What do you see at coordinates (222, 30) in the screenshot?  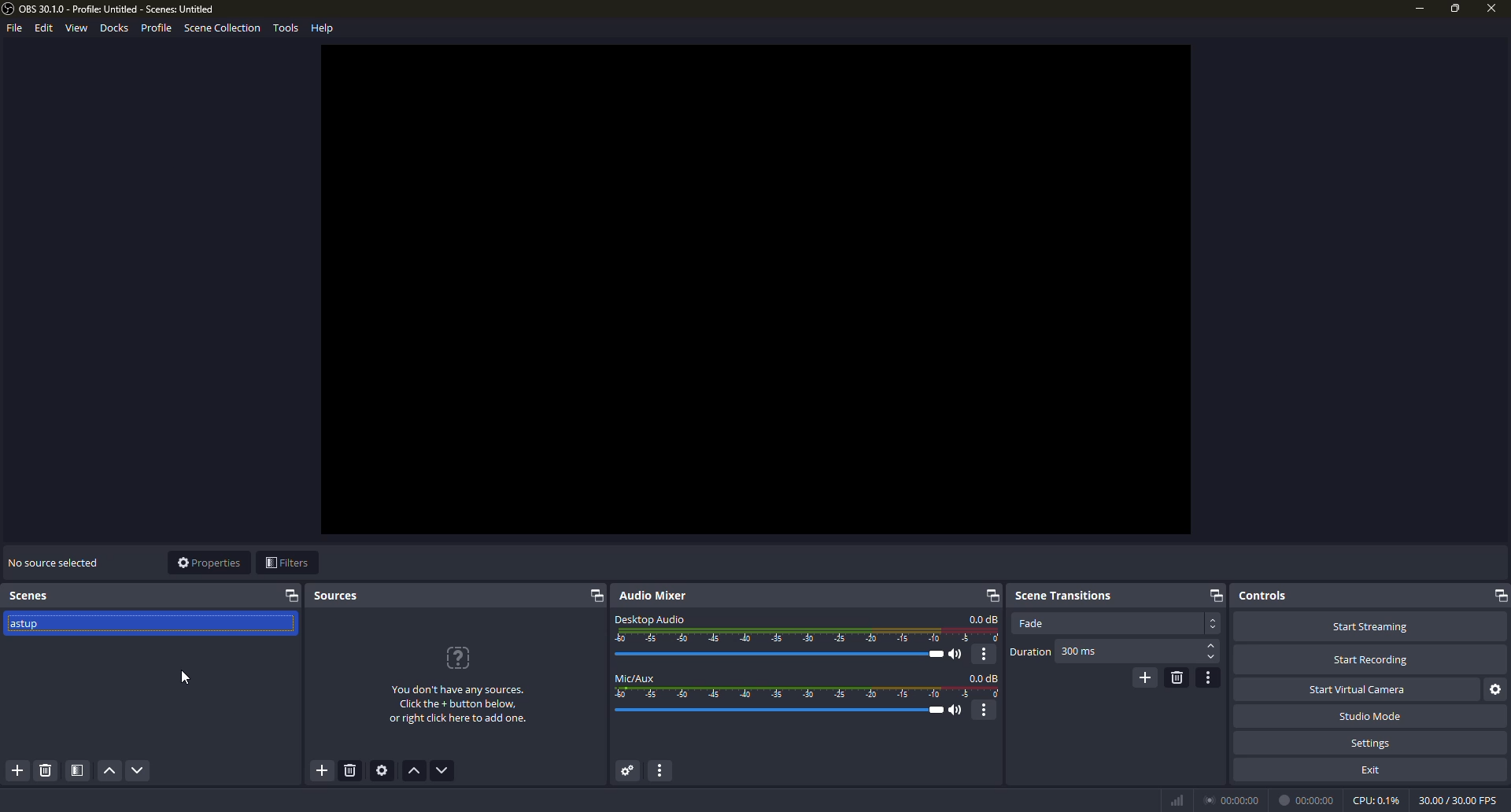 I see `scene collection` at bounding box center [222, 30].